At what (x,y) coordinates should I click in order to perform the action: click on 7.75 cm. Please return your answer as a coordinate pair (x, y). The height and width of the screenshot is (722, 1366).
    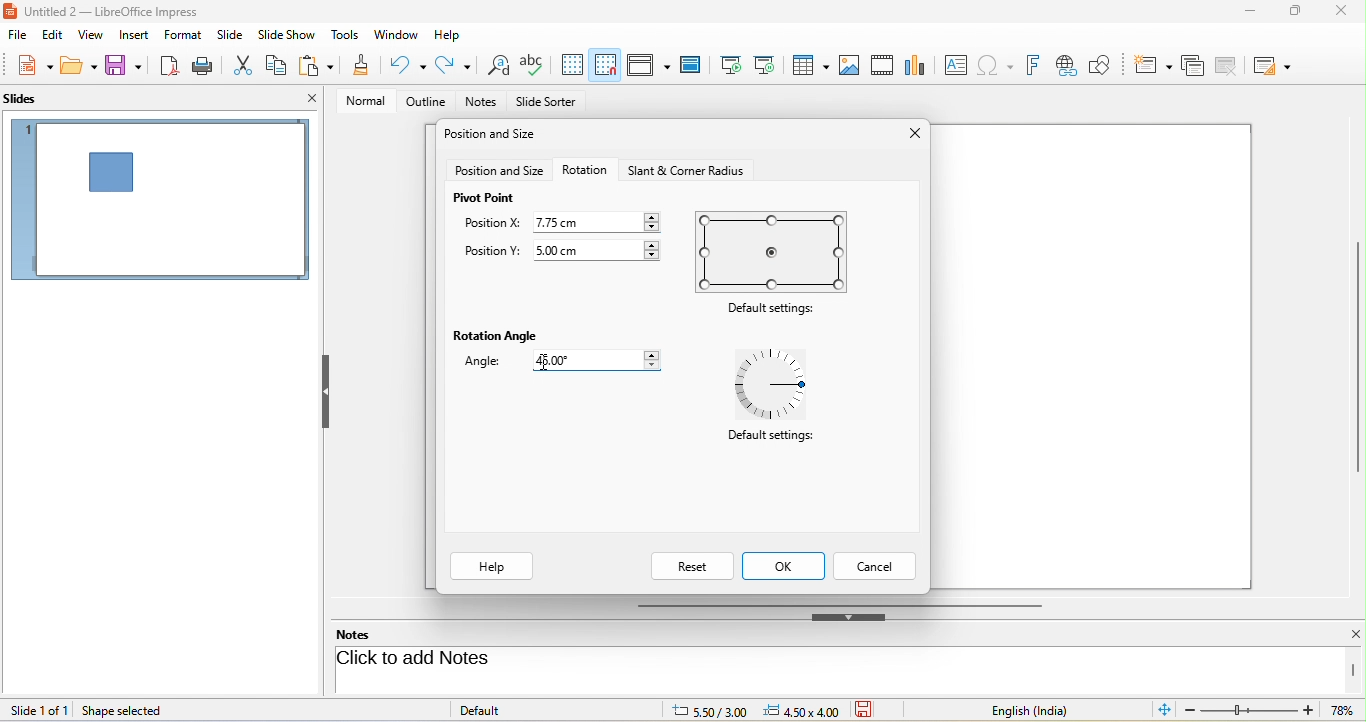
    Looking at the image, I should click on (599, 221).